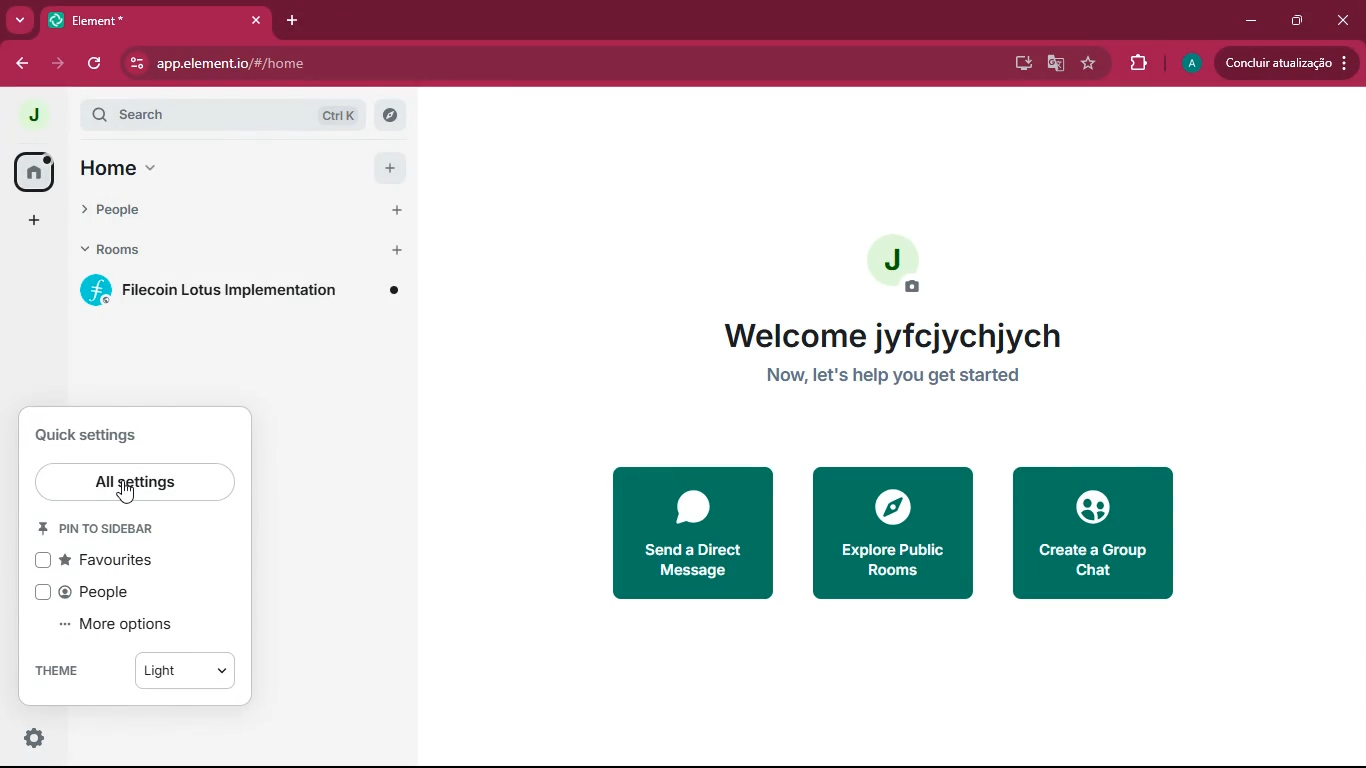 The width and height of the screenshot is (1366, 768). What do you see at coordinates (102, 528) in the screenshot?
I see `pin` at bounding box center [102, 528].